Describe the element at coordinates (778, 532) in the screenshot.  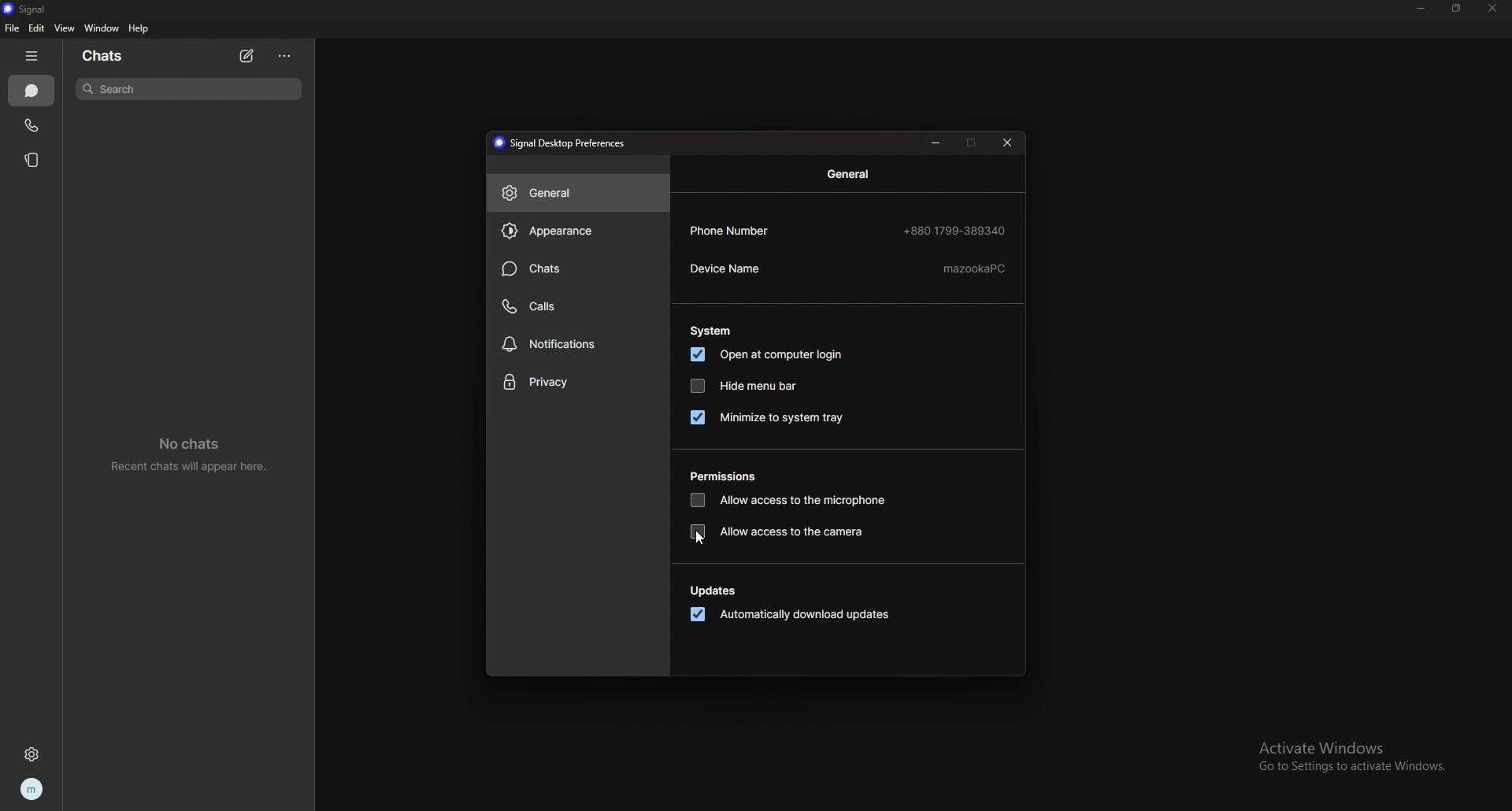
I see `allow access to camera` at that location.